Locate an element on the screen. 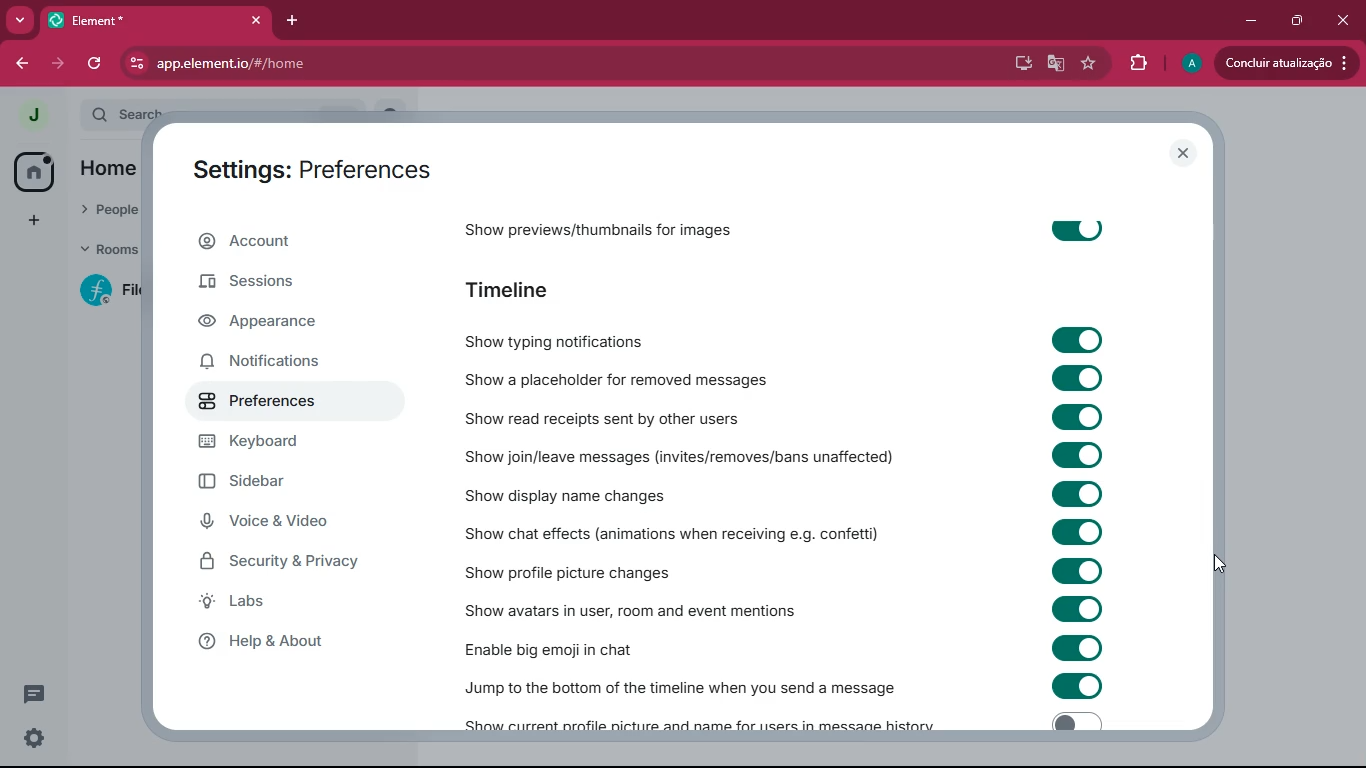 The image size is (1366, 768). file is located at coordinates (114, 290).